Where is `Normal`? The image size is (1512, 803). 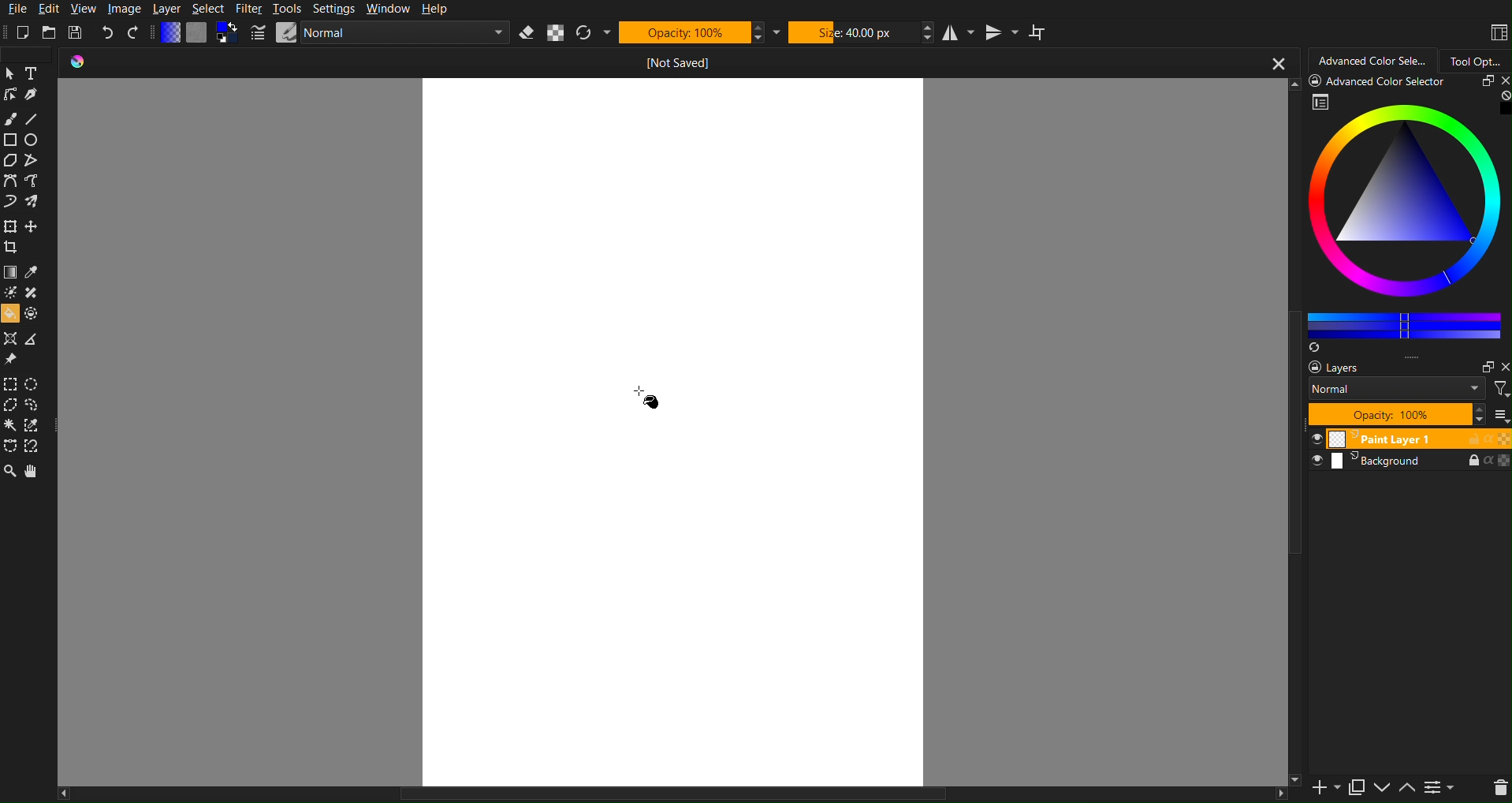 Normal is located at coordinates (378, 32).